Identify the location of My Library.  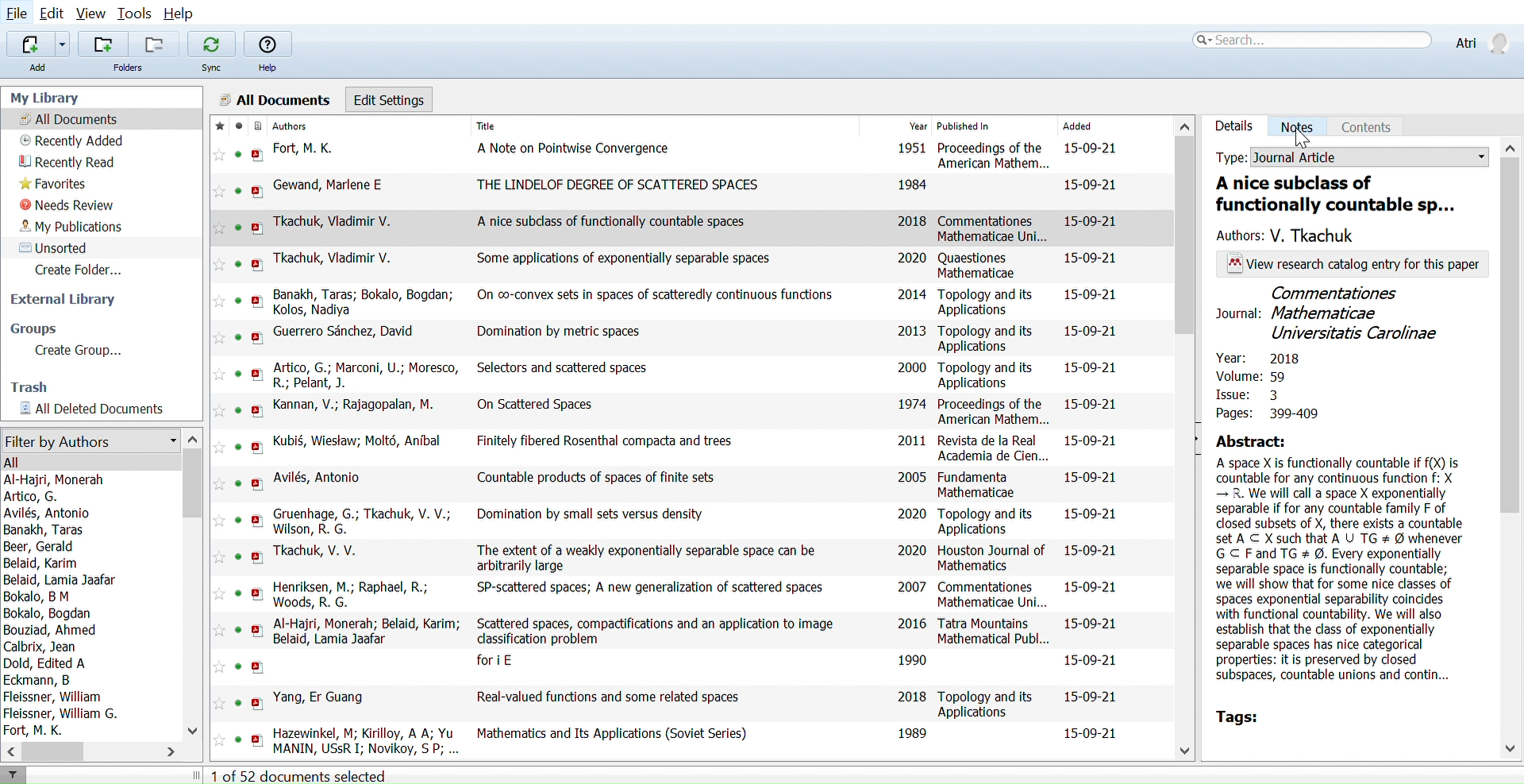
(45, 97).